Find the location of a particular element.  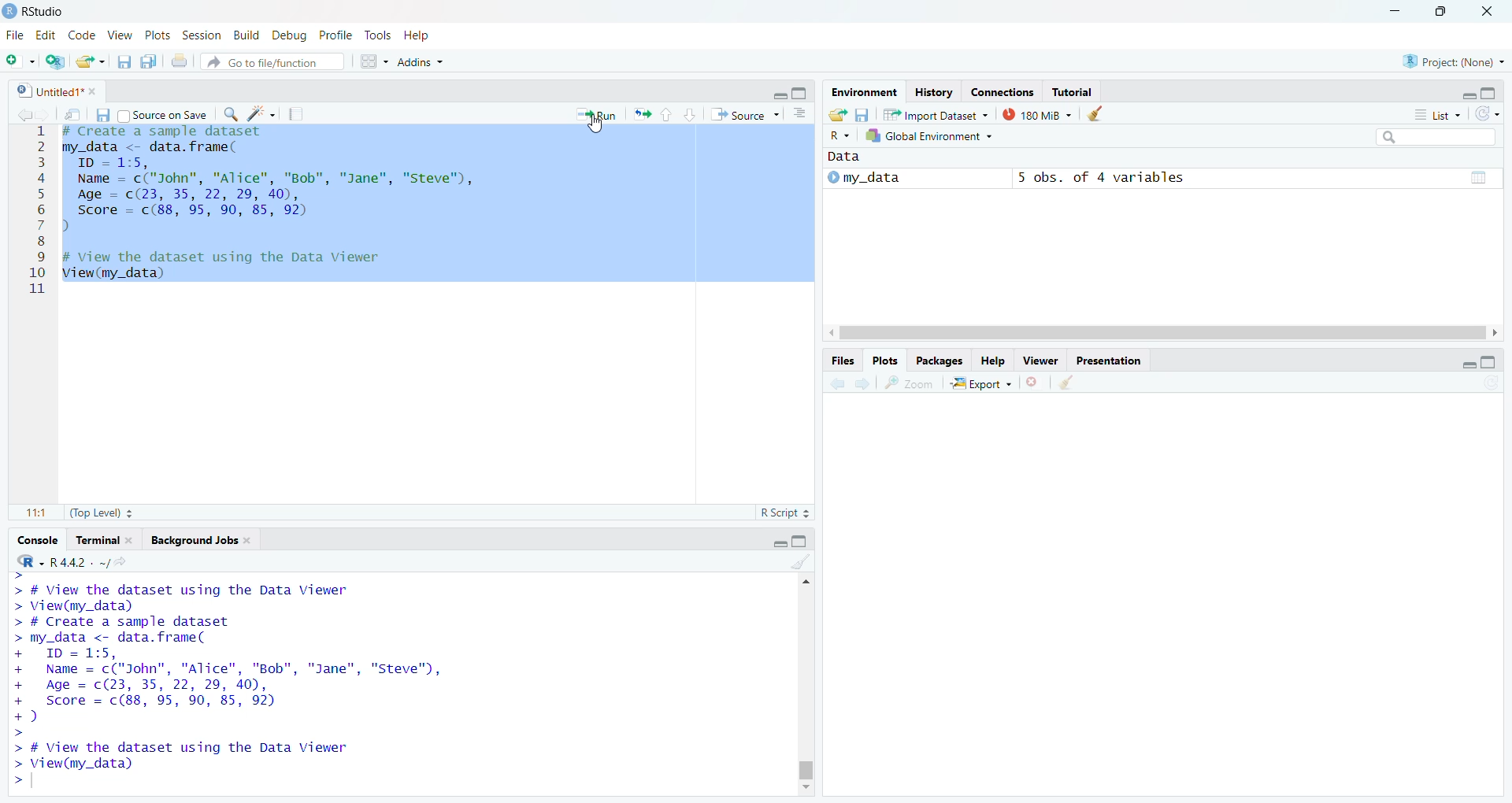

Minimize is located at coordinates (1393, 12).